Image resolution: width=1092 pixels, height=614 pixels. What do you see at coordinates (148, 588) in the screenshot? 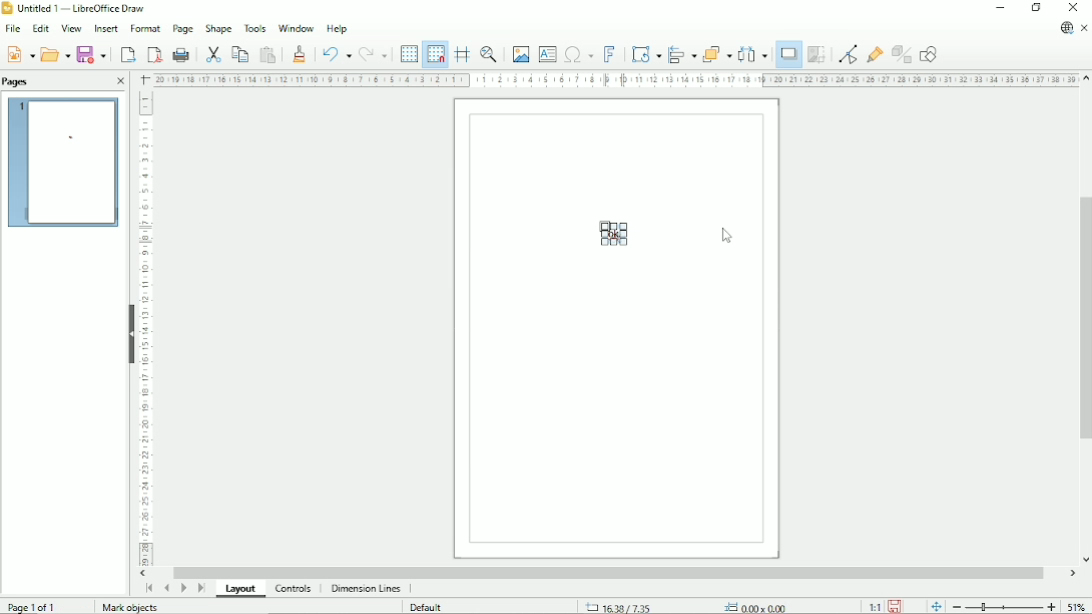
I see `Scroll to first page` at bounding box center [148, 588].